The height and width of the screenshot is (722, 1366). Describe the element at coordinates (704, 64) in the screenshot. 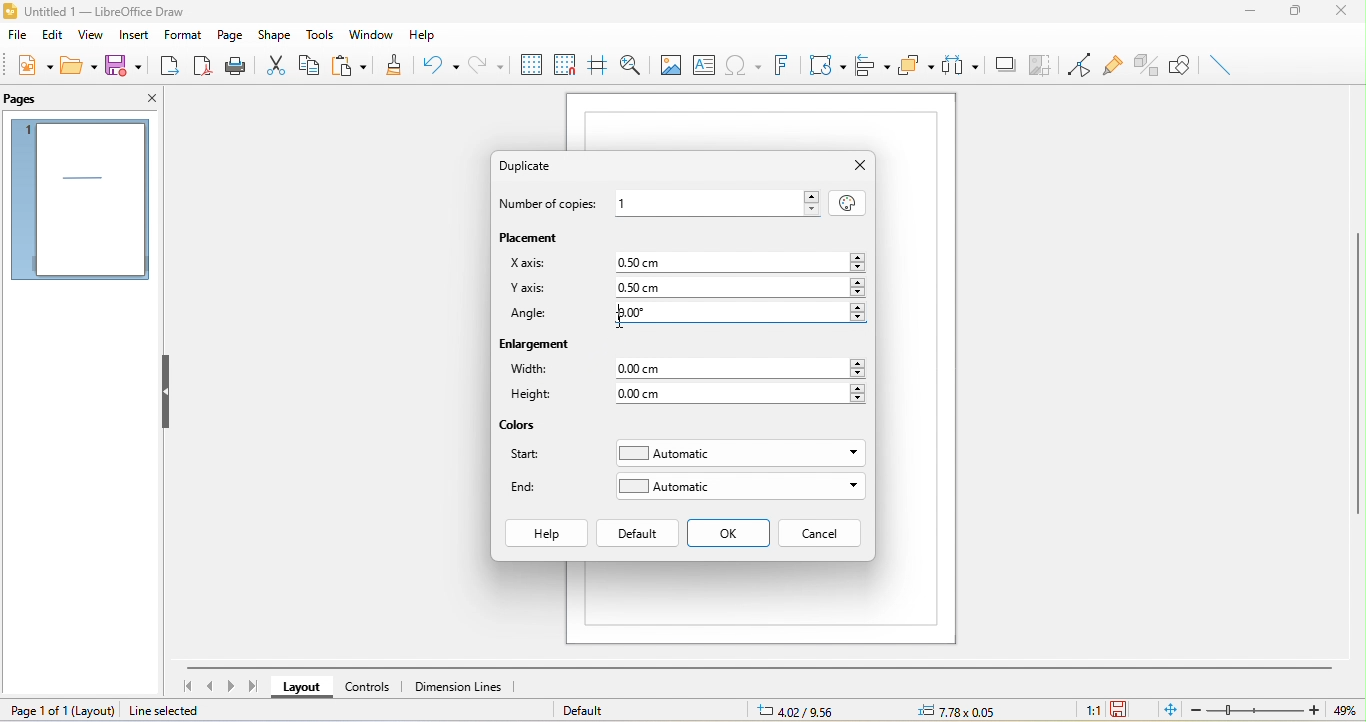

I see `text box` at that location.